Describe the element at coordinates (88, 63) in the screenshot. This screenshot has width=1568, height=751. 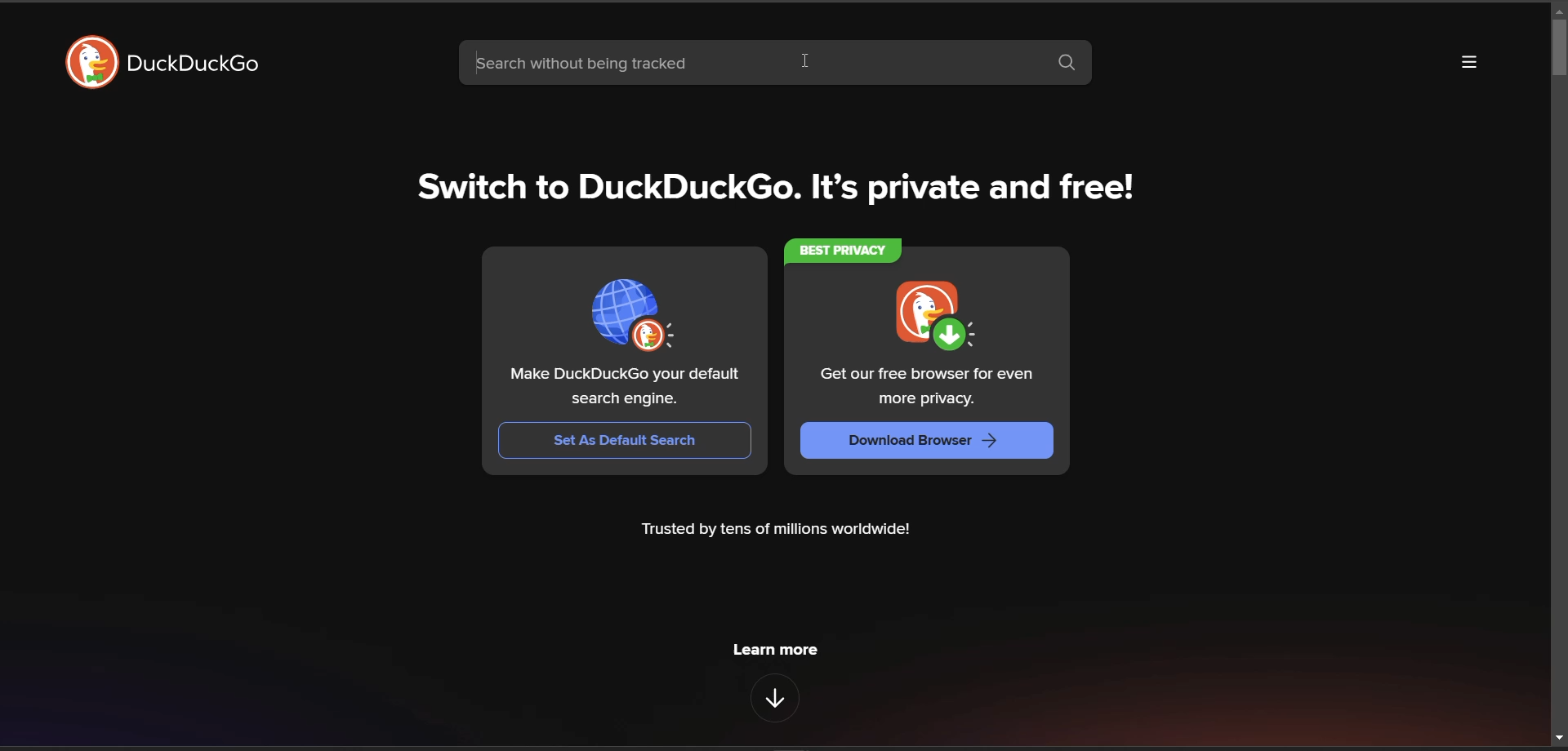
I see `logo` at that location.